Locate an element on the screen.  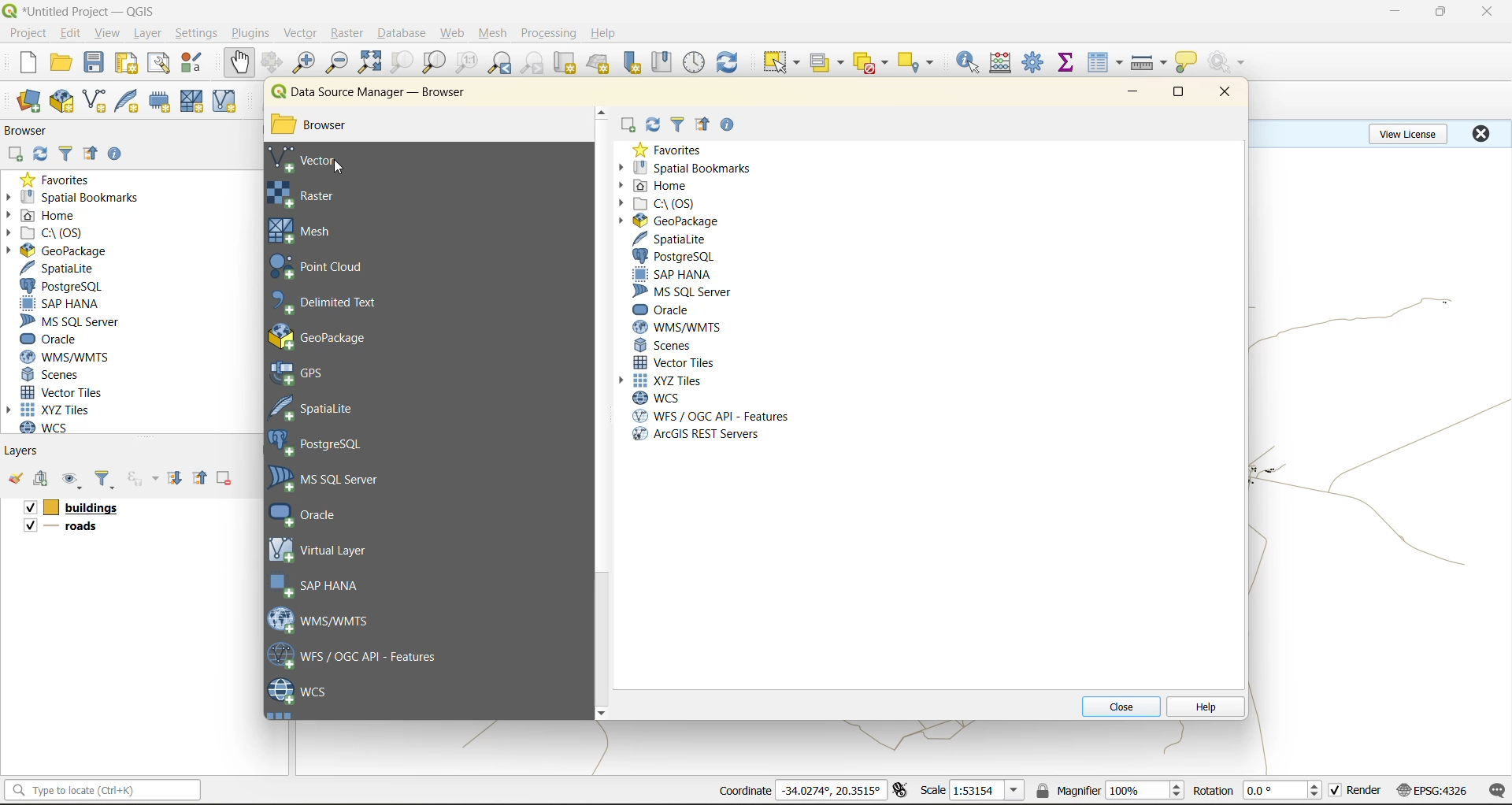
new spatialite layer is located at coordinates (131, 99).